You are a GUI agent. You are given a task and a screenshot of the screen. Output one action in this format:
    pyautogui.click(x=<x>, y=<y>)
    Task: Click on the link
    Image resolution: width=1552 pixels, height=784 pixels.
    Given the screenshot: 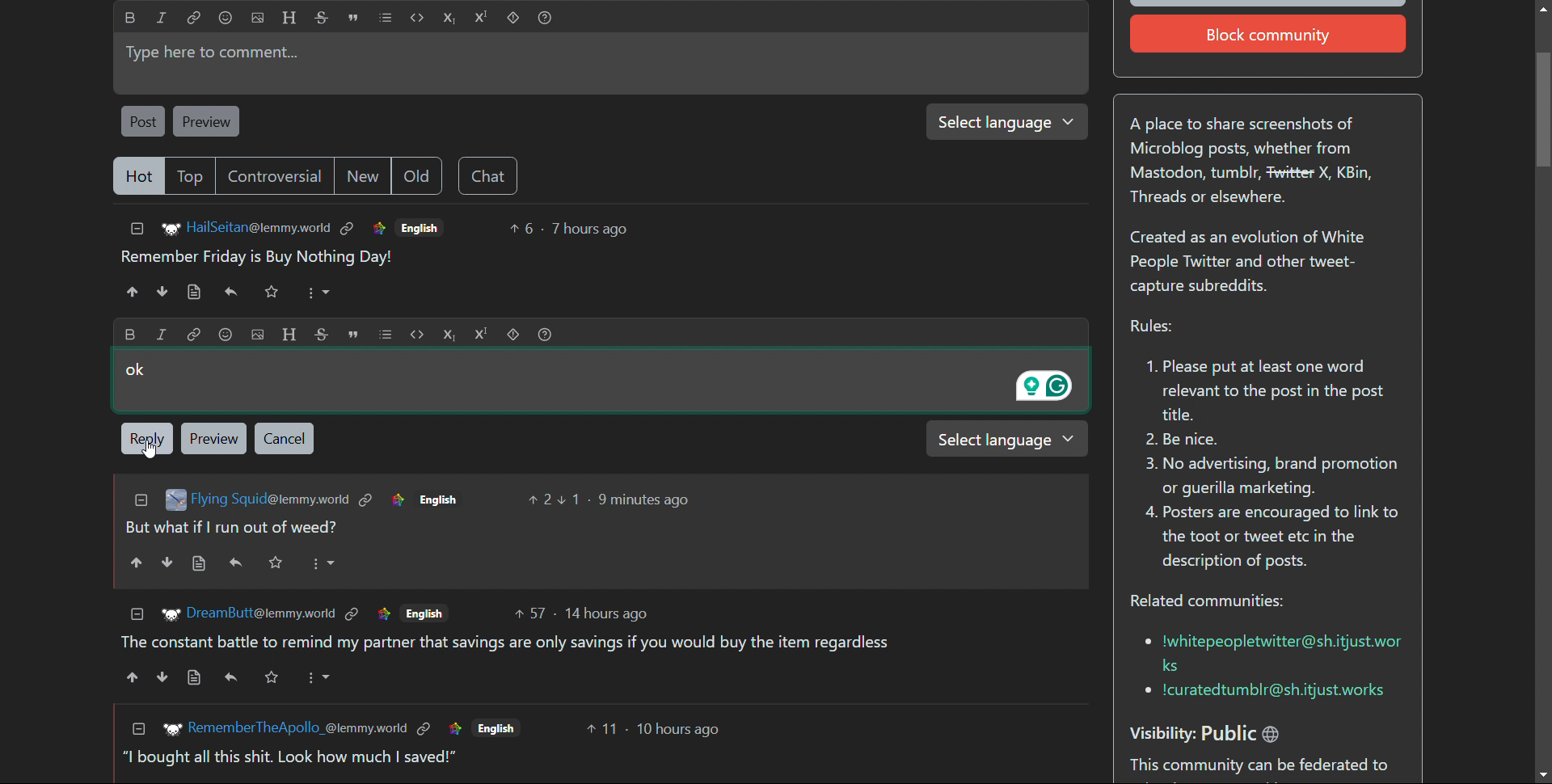 What is the action you would take?
    pyautogui.click(x=367, y=502)
    